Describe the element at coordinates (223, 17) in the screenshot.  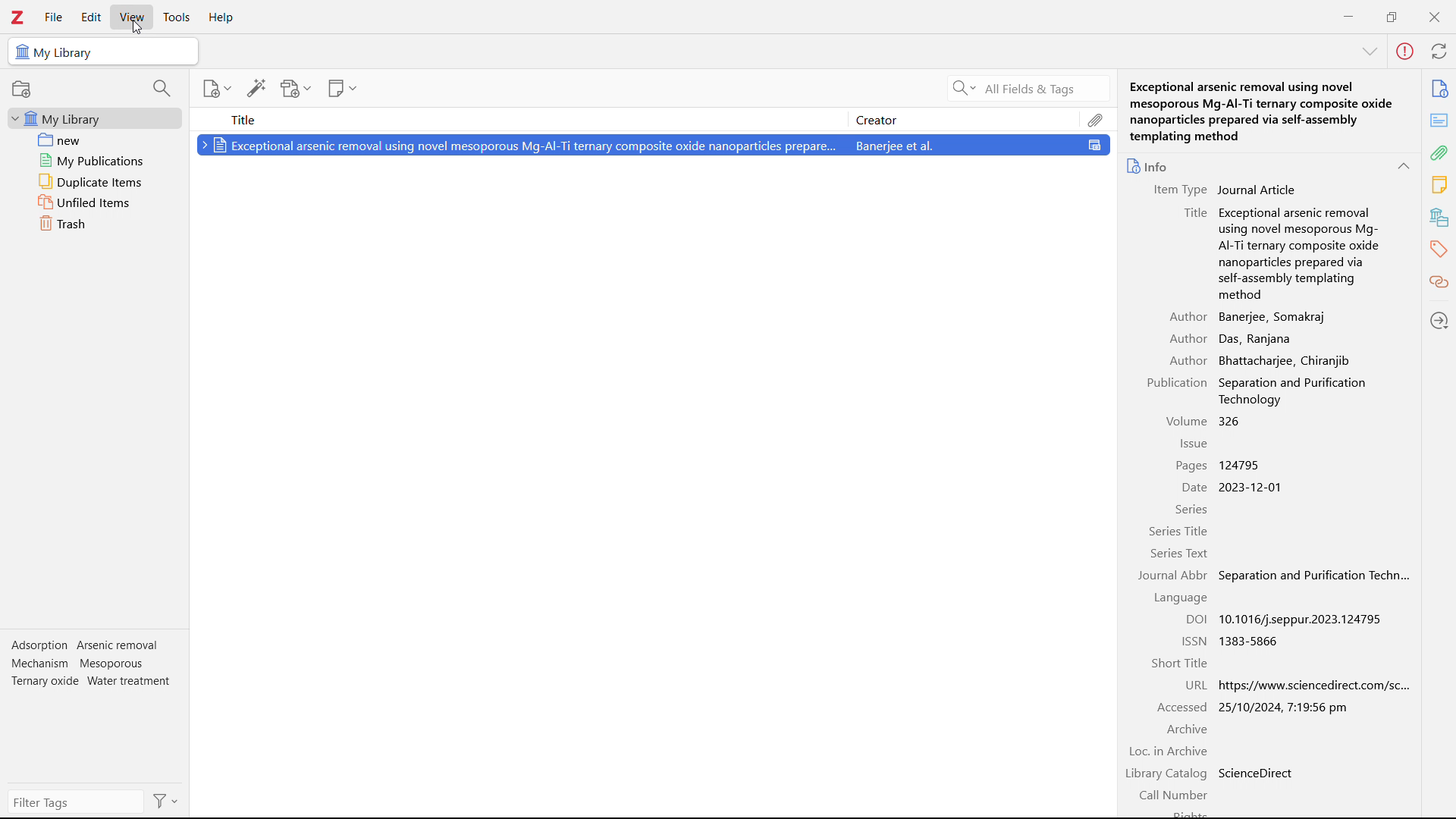
I see `help` at that location.